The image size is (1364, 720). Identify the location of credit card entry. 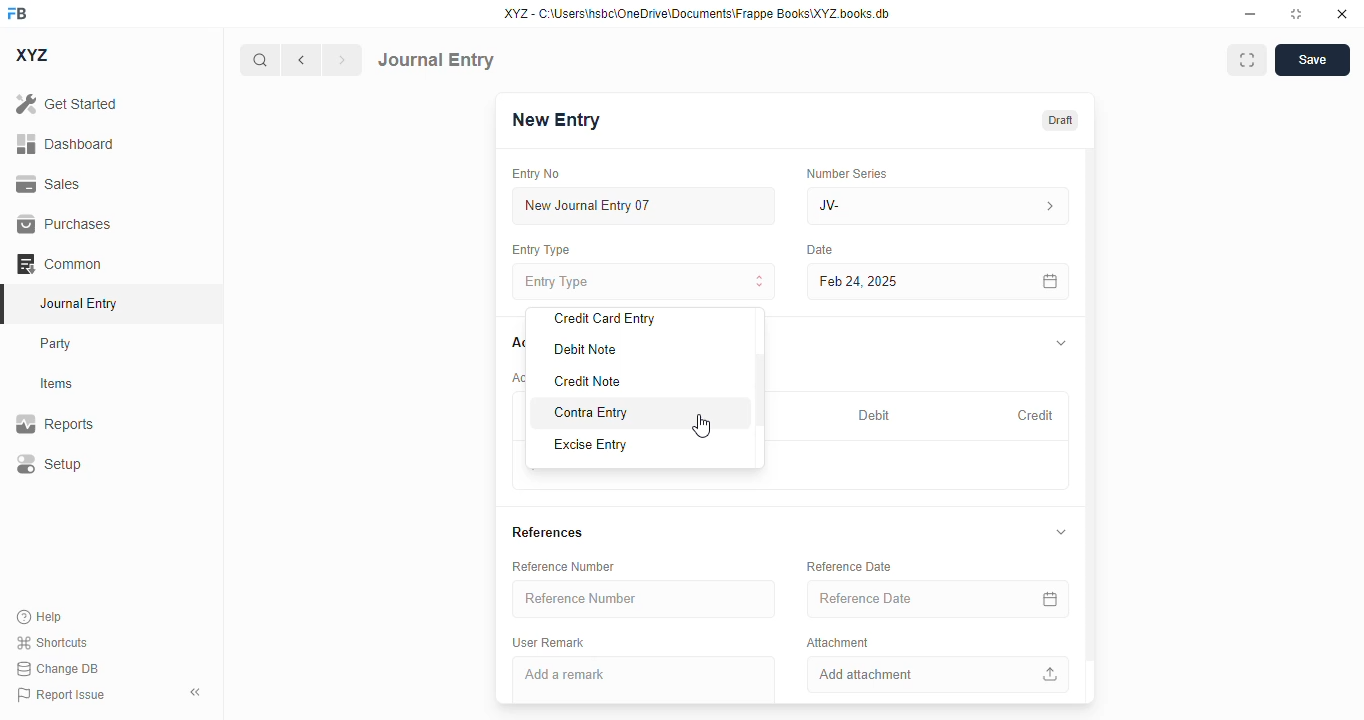
(606, 316).